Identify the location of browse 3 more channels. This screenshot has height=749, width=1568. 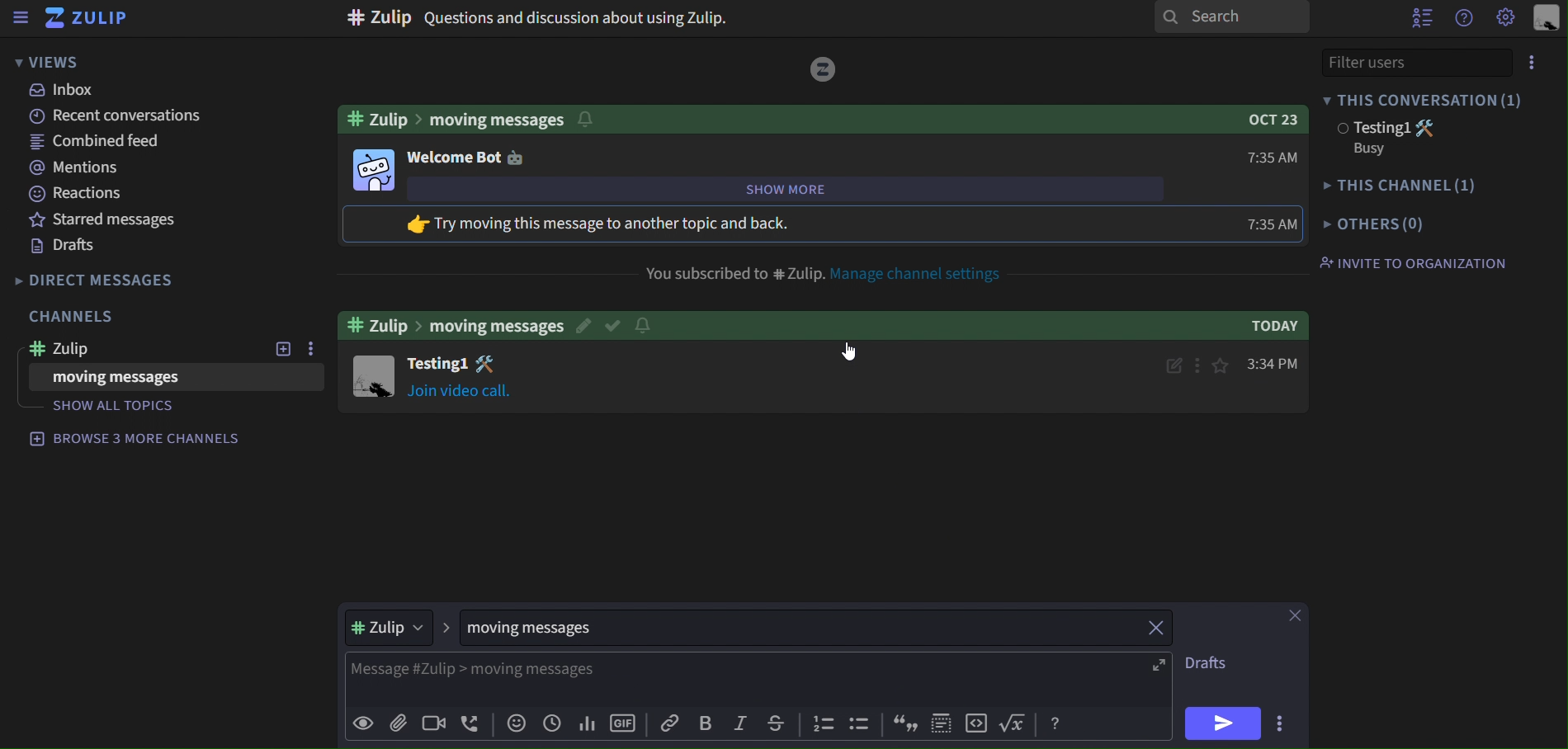
(137, 437).